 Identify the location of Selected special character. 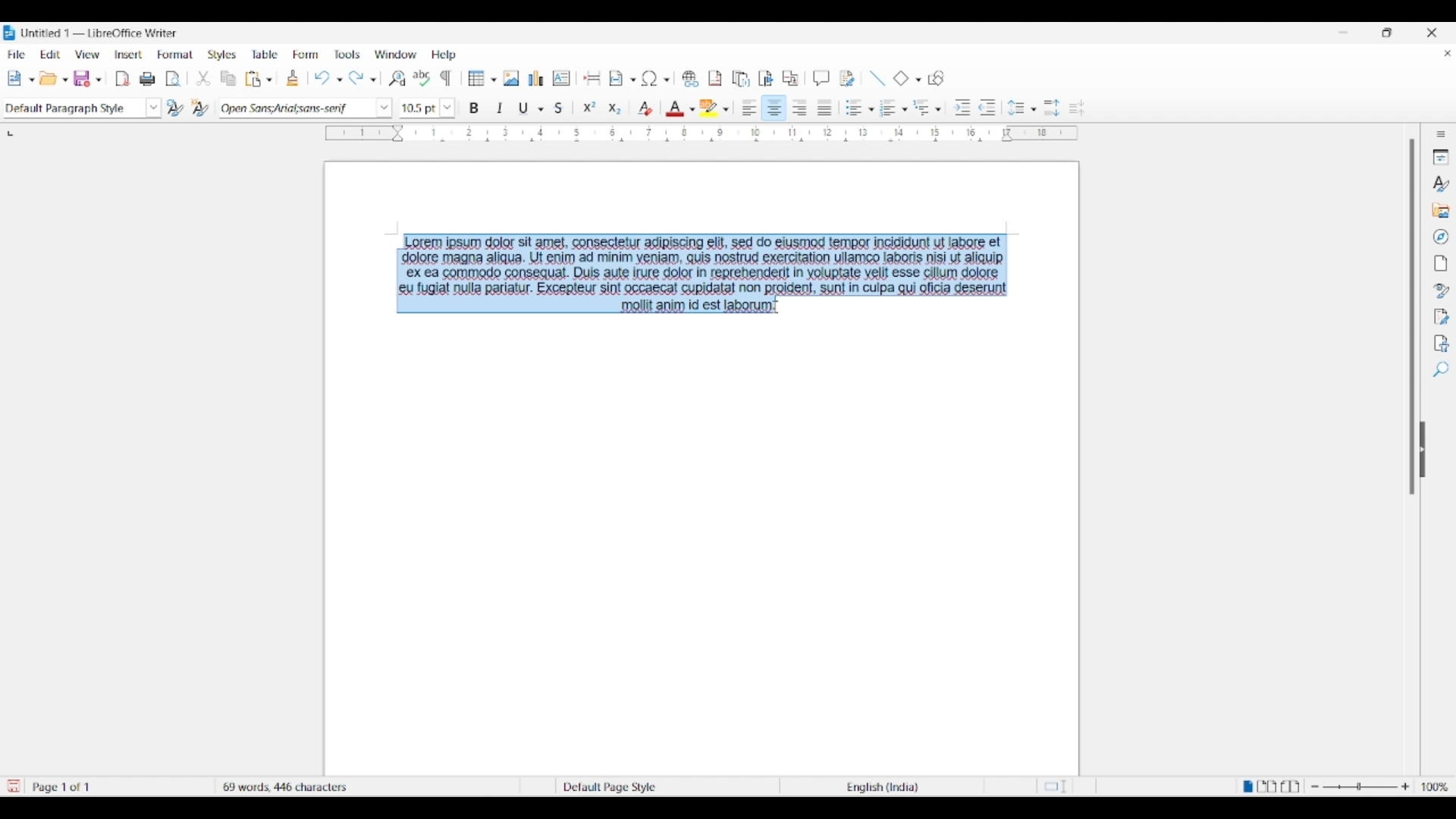
(649, 78).